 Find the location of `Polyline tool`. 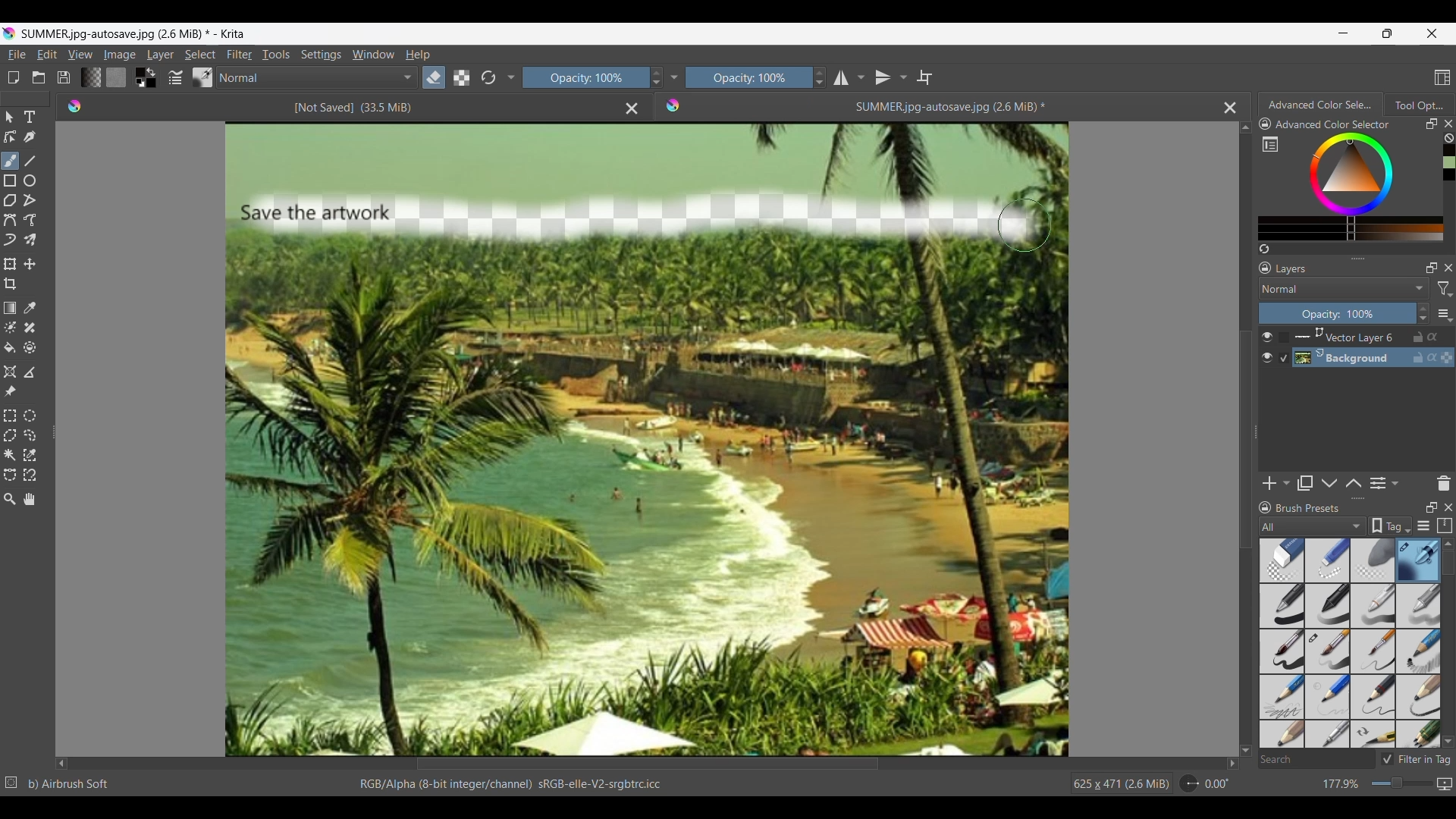

Polyline tool is located at coordinates (30, 200).